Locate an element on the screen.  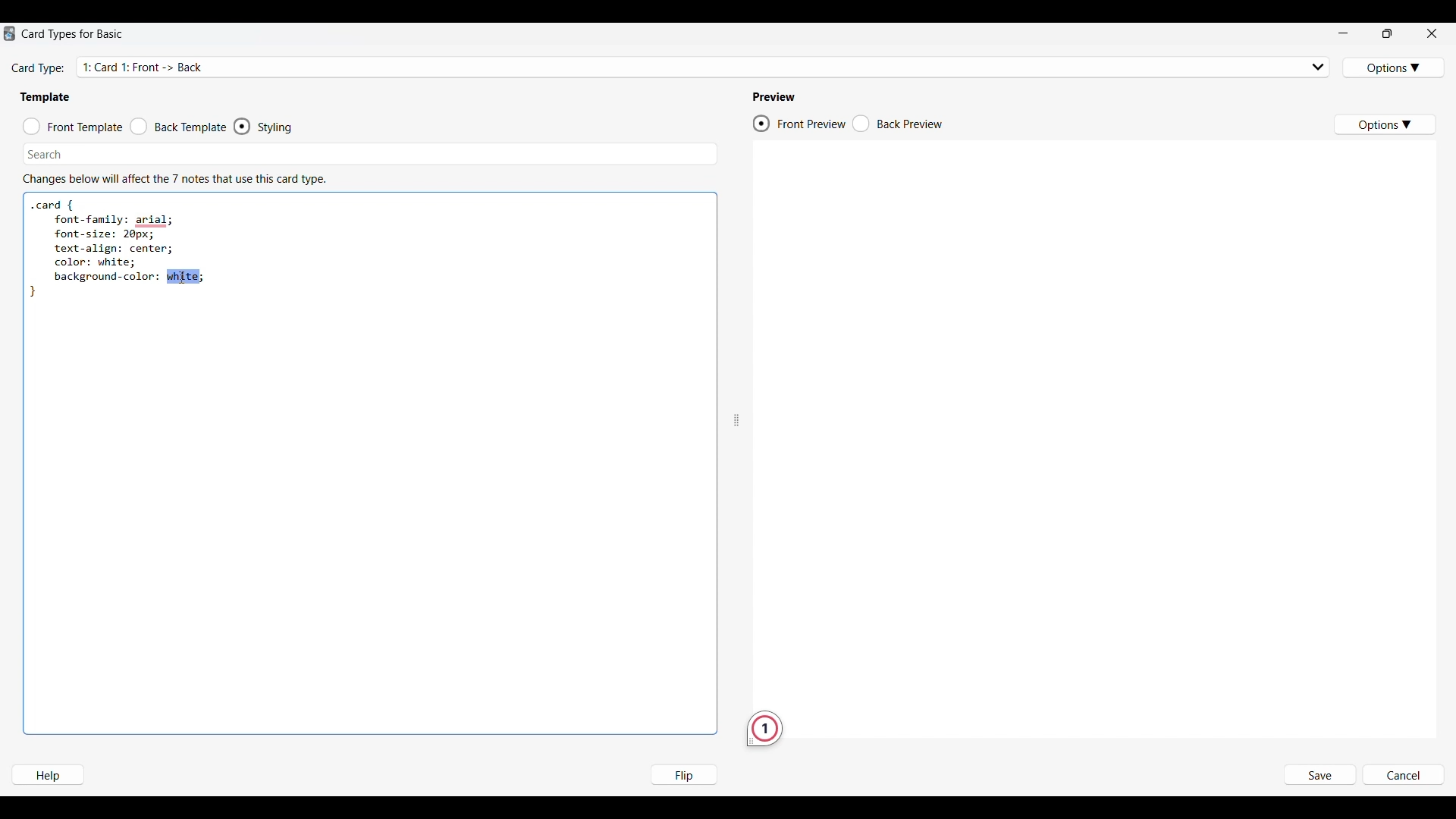
Front template is located at coordinates (73, 127).